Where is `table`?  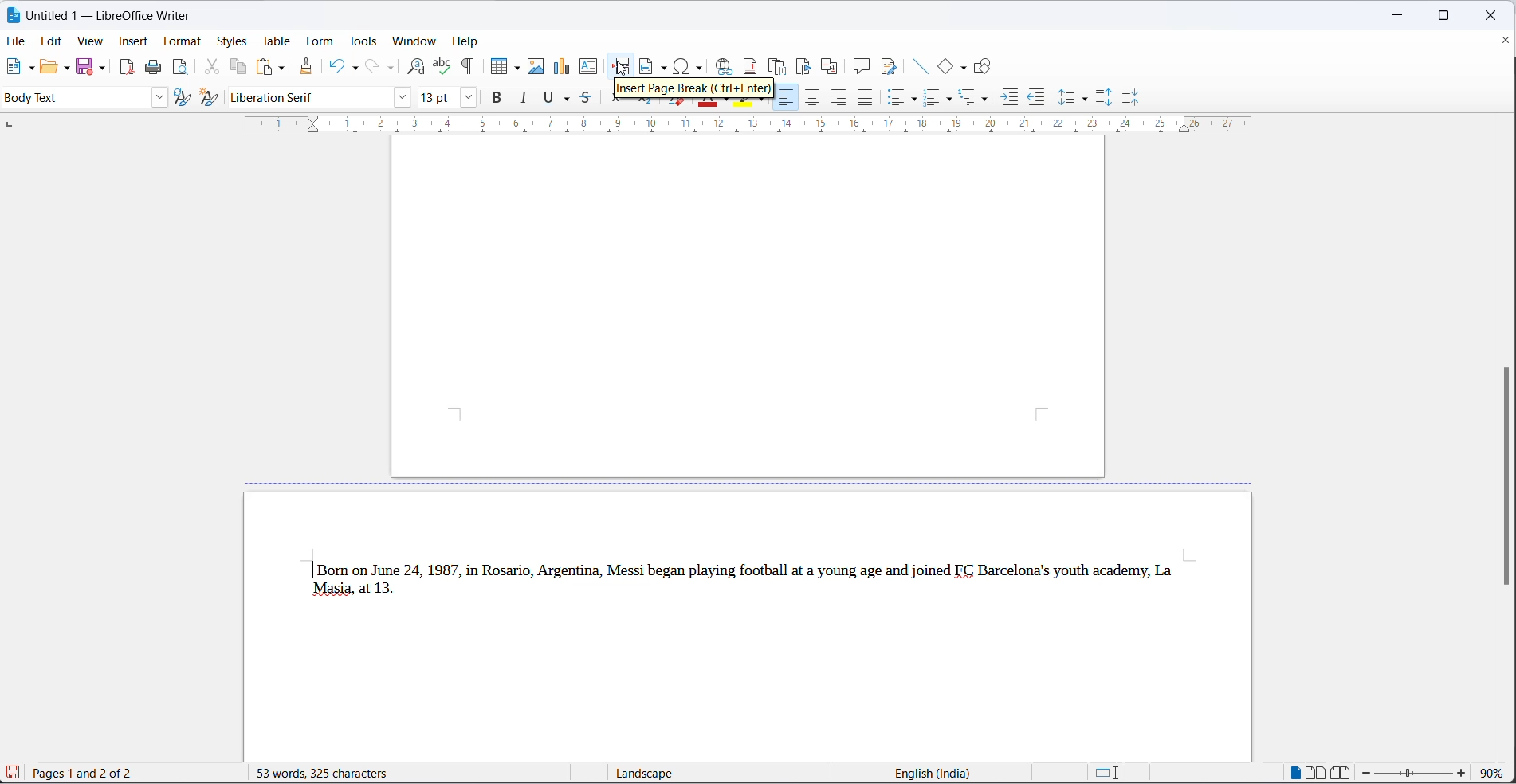
table is located at coordinates (280, 40).